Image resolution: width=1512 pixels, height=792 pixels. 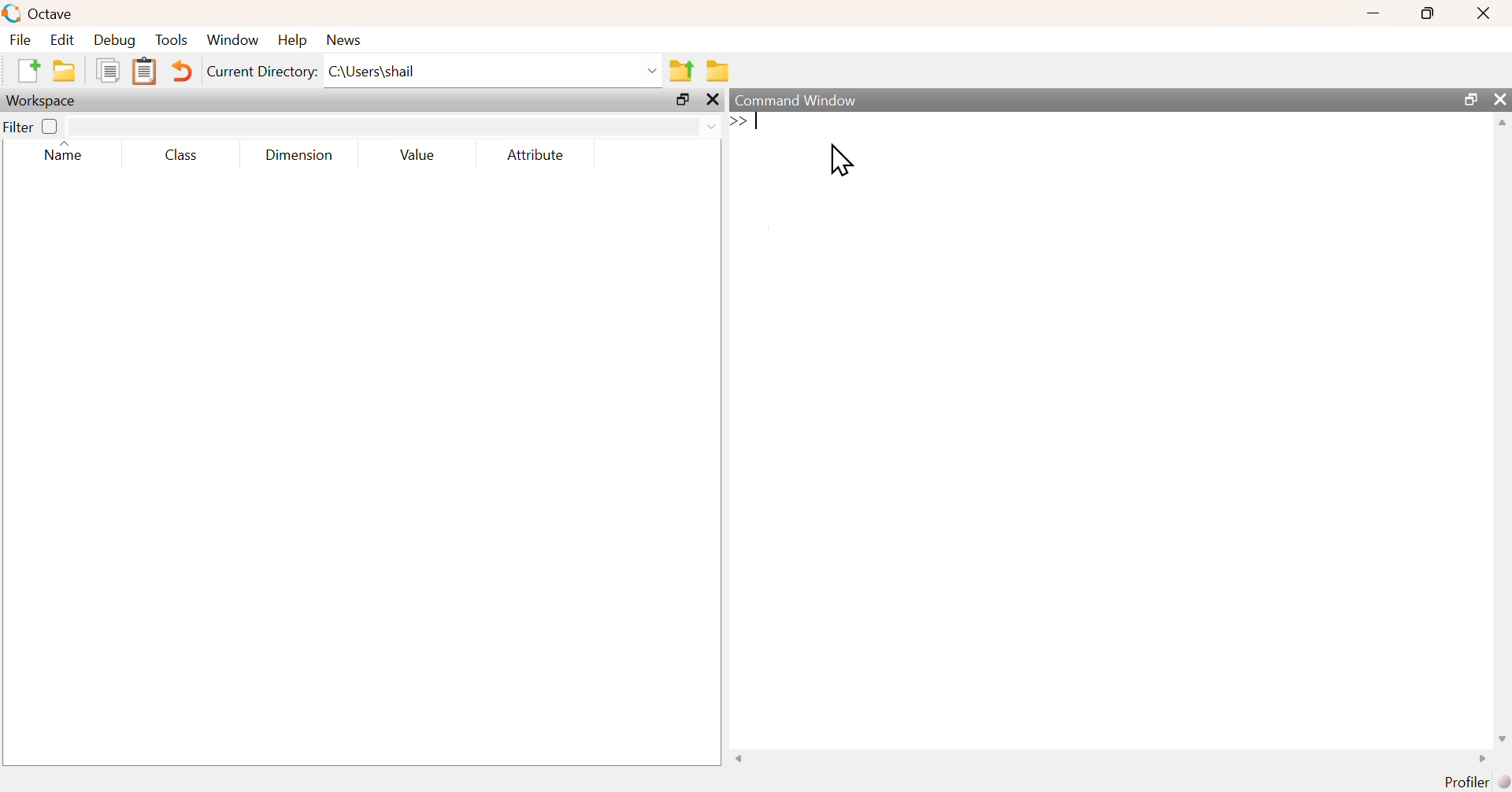 What do you see at coordinates (759, 122) in the screenshot?
I see `Tap text` at bounding box center [759, 122].